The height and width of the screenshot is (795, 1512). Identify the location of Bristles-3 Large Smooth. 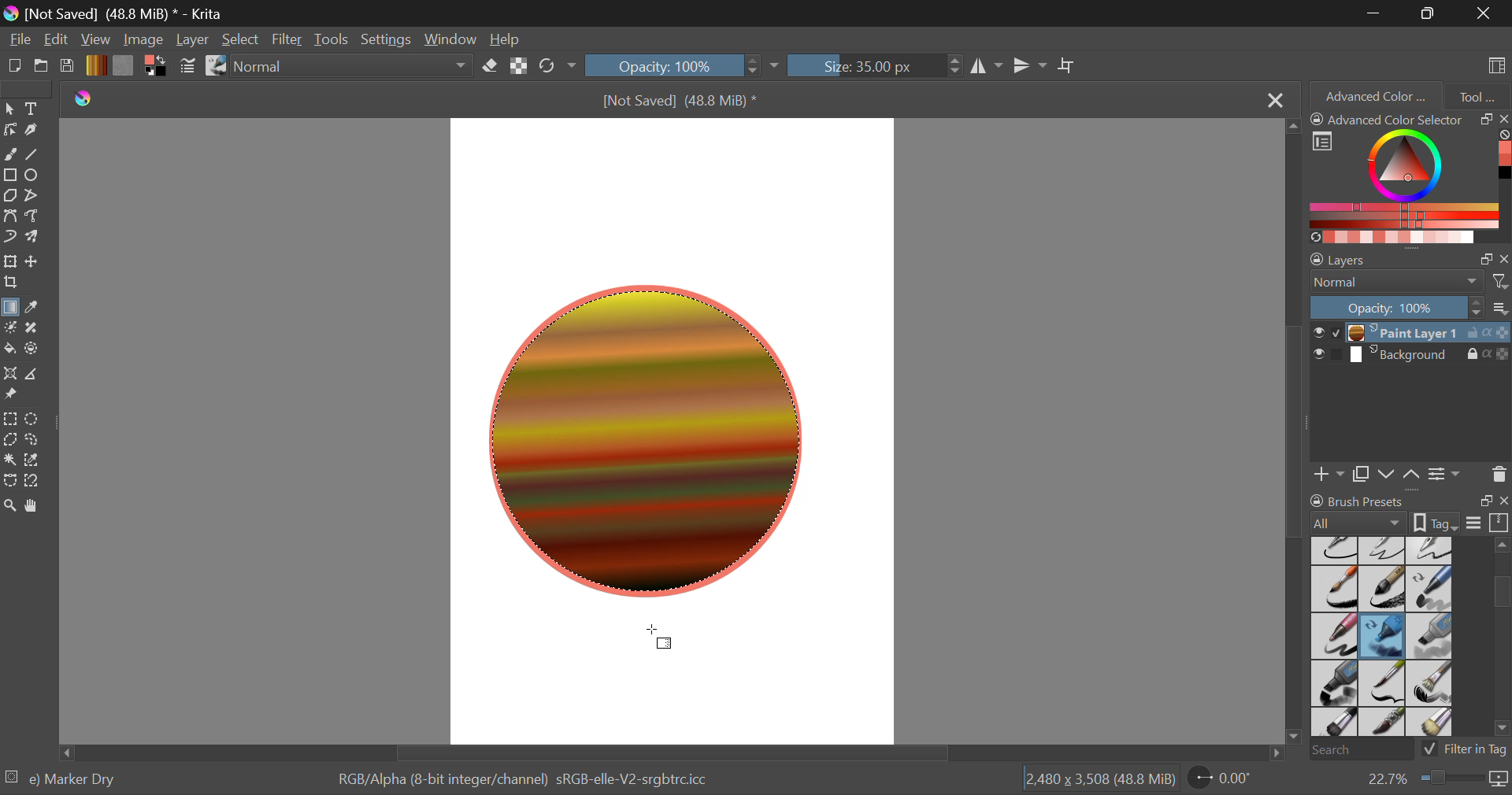
(1333, 723).